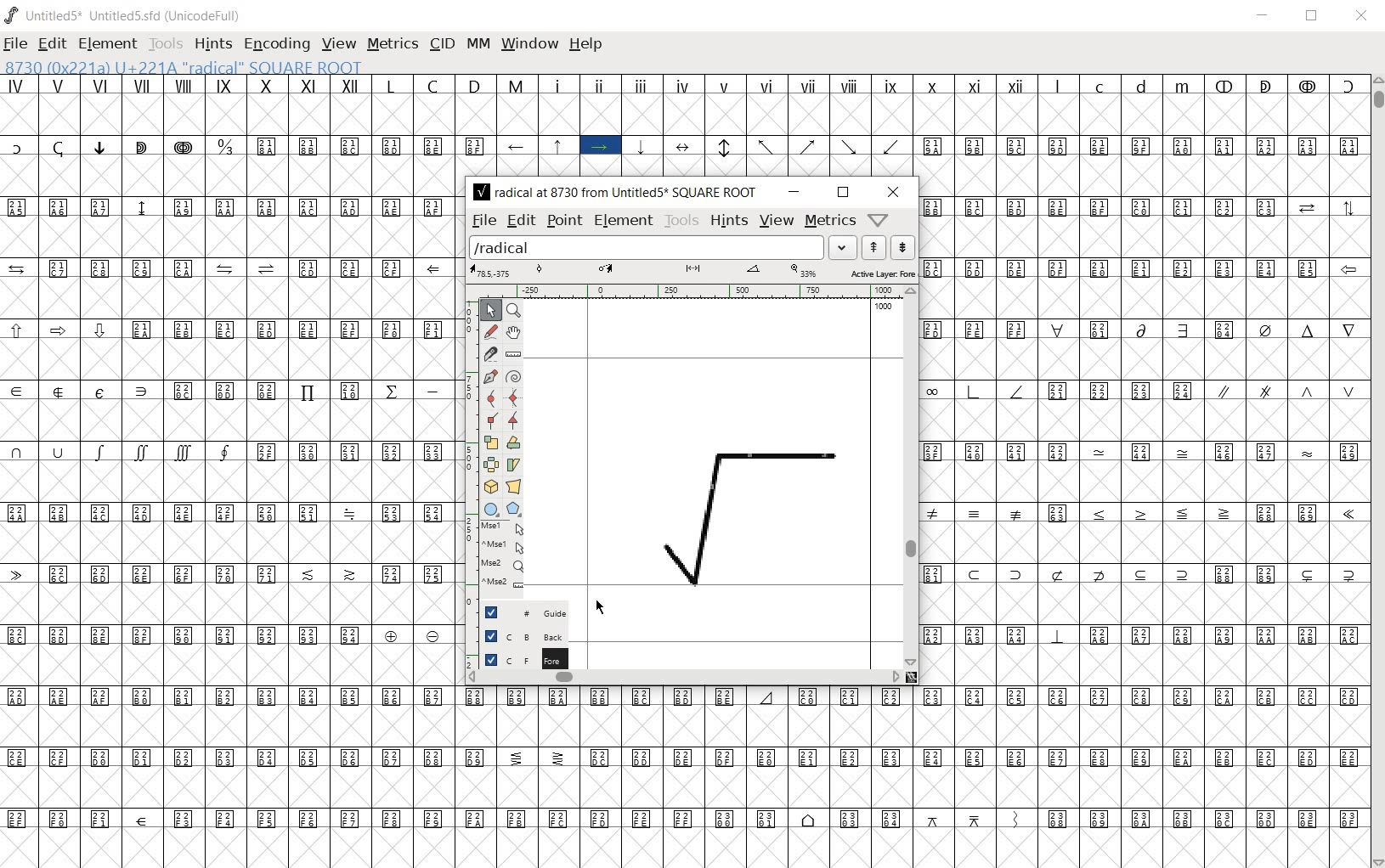 The image size is (1385, 868). Describe the element at coordinates (516, 310) in the screenshot. I see `magnify` at that location.